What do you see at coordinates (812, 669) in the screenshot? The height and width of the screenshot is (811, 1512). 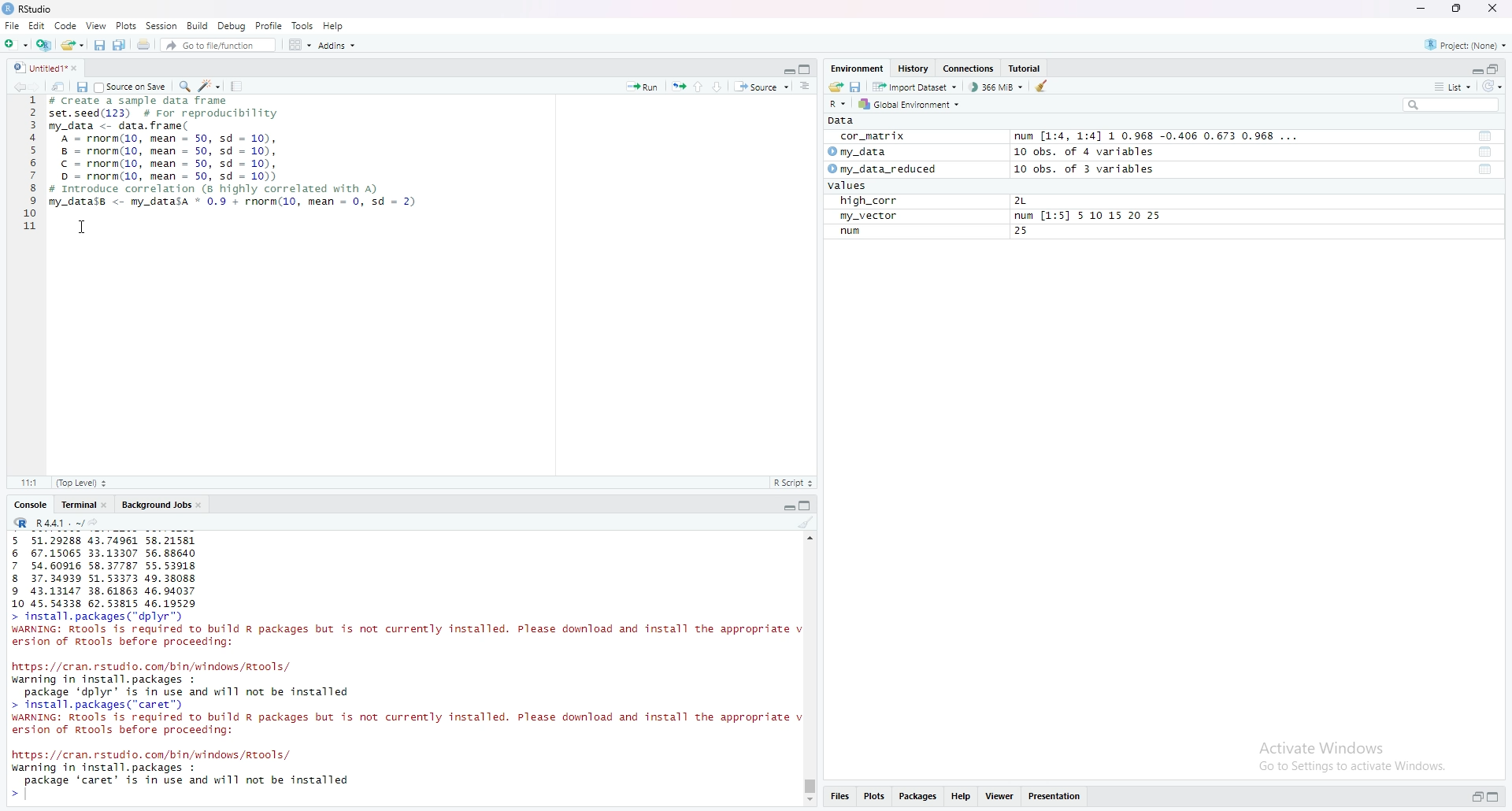 I see `scrollbar` at bounding box center [812, 669].